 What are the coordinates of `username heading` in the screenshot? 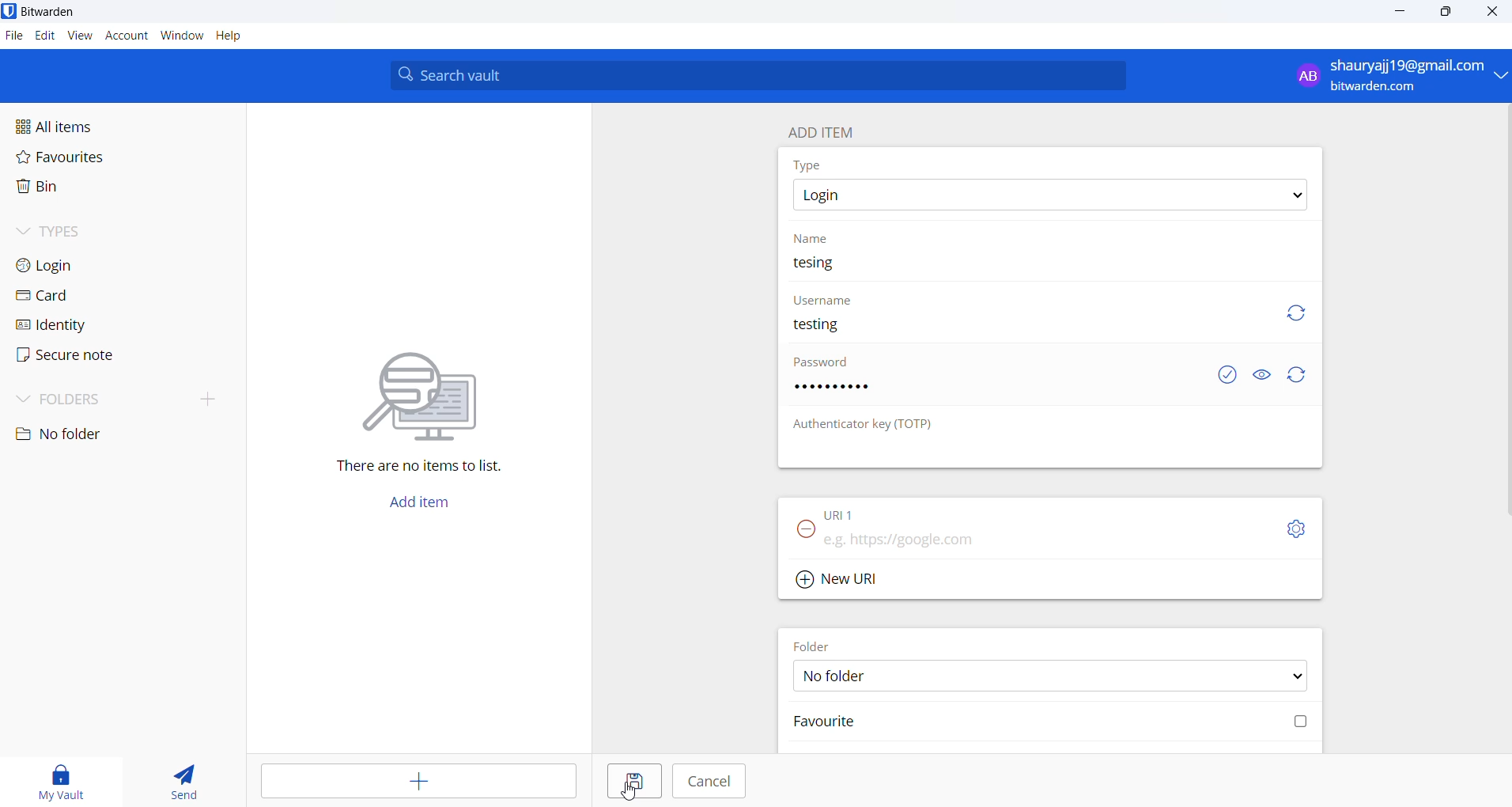 It's located at (824, 298).